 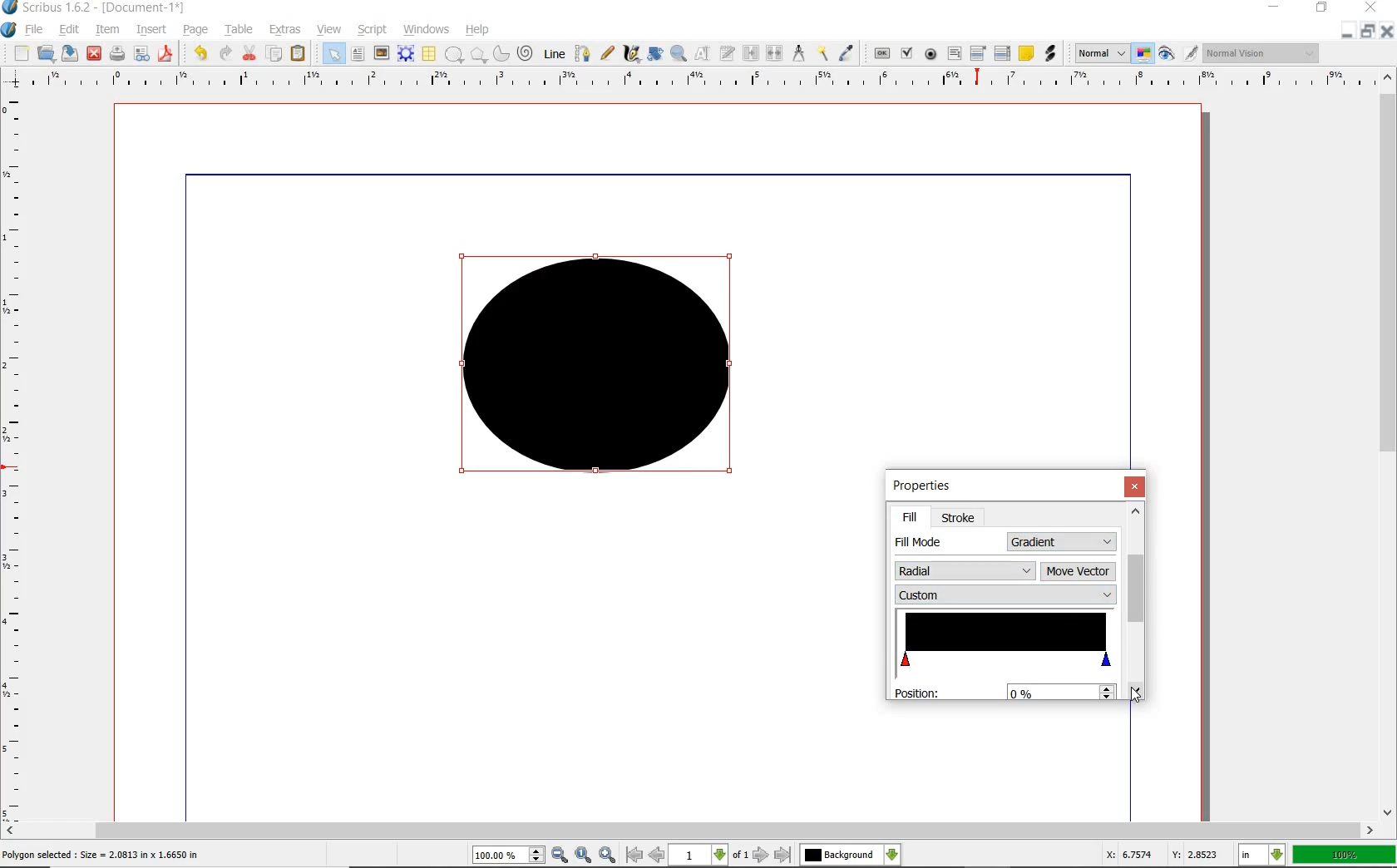 What do you see at coordinates (658, 855) in the screenshot?
I see `previous` at bounding box center [658, 855].